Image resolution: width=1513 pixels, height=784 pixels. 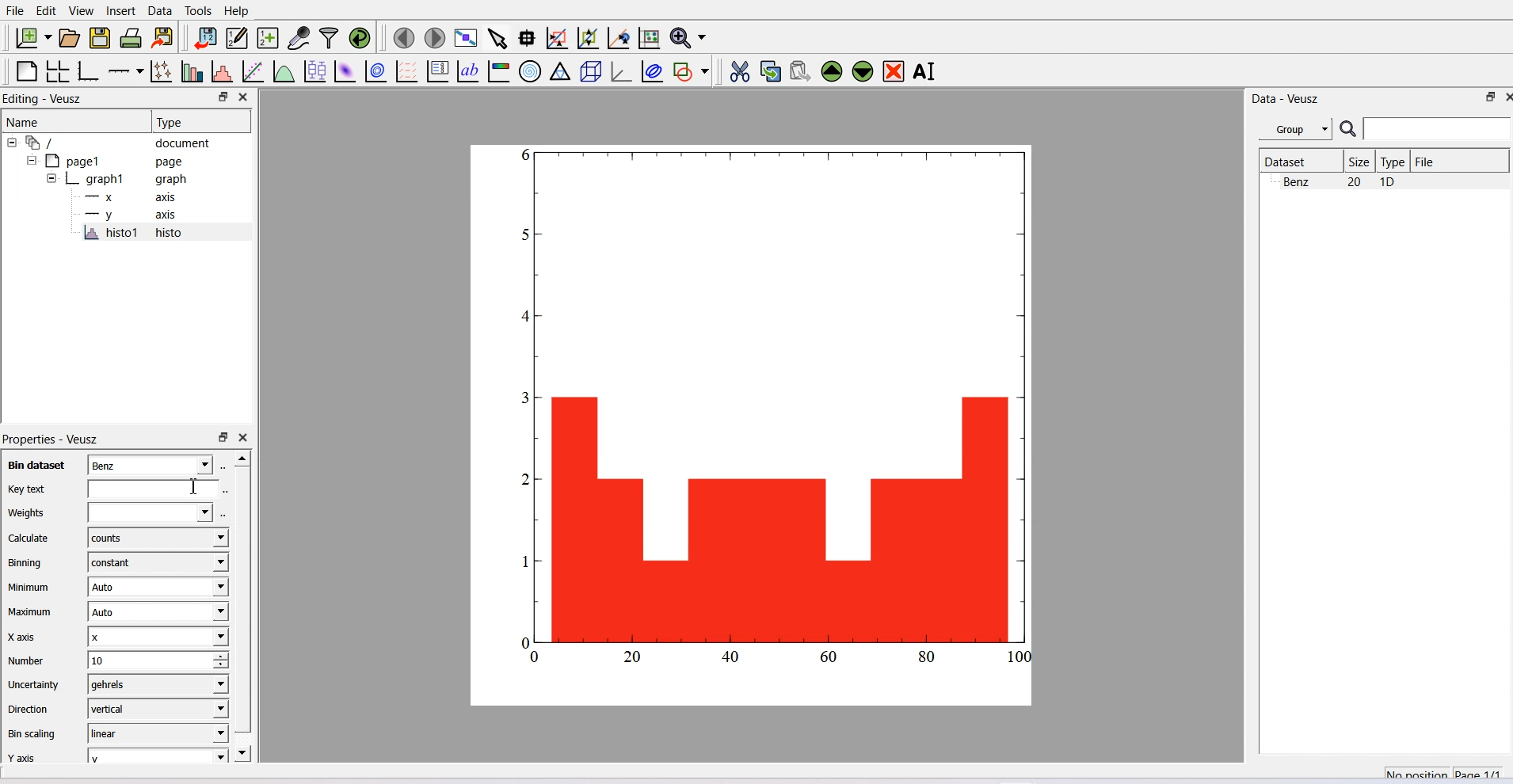 What do you see at coordinates (52, 438) in the screenshot?
I see `Properties - Veusz` at bounding box center [52, 438].